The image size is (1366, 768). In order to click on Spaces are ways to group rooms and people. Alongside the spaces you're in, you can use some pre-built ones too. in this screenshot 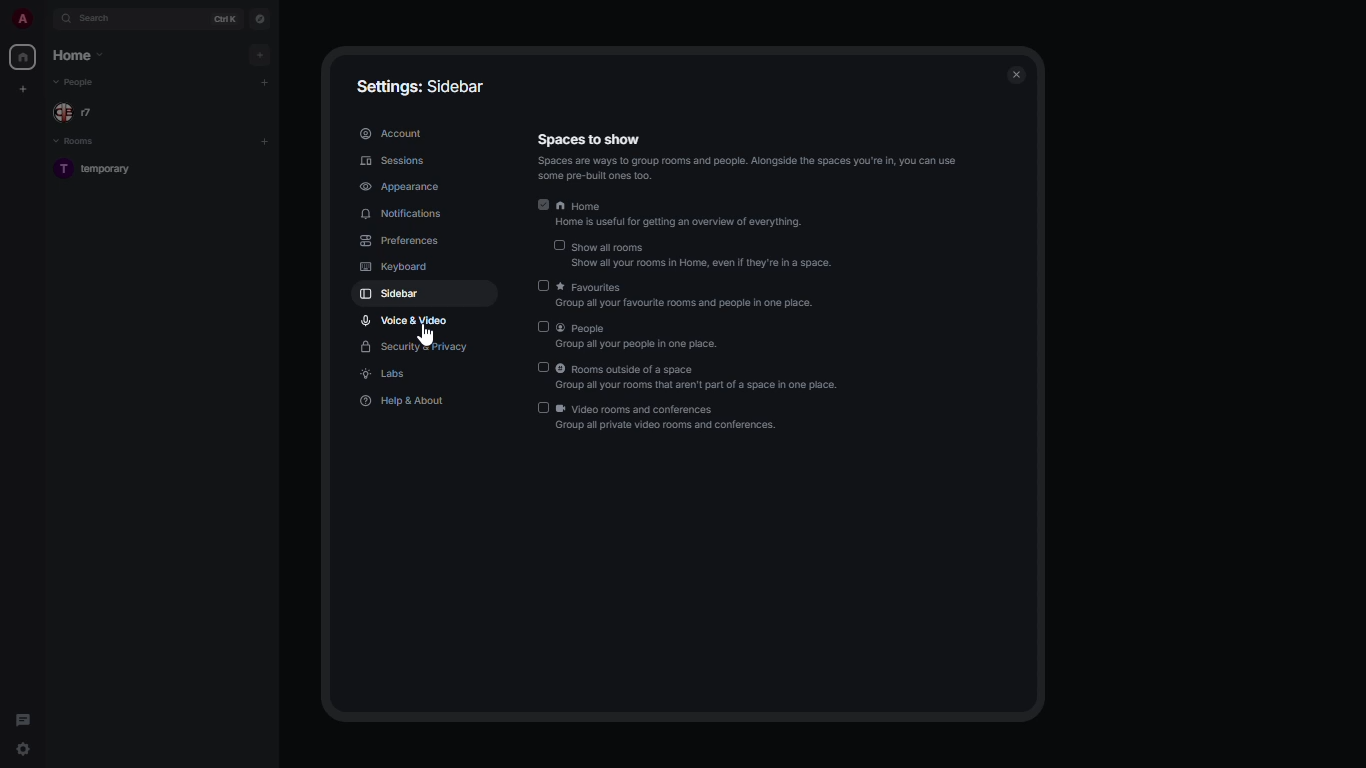, I will do `click(761, 168)`.